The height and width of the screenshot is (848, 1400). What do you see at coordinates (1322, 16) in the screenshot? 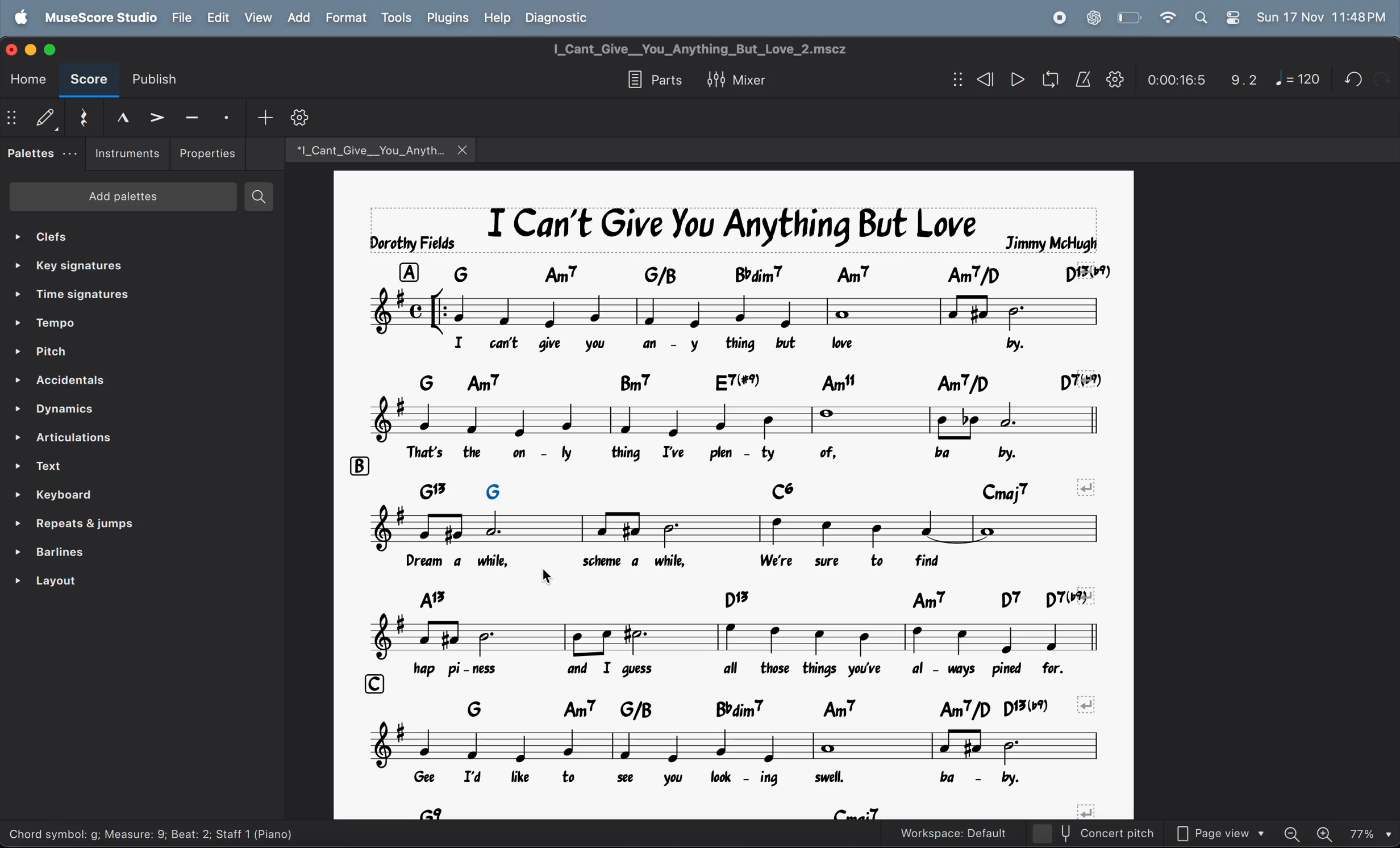
I see `date and time` at bounding box center [1322, 16].